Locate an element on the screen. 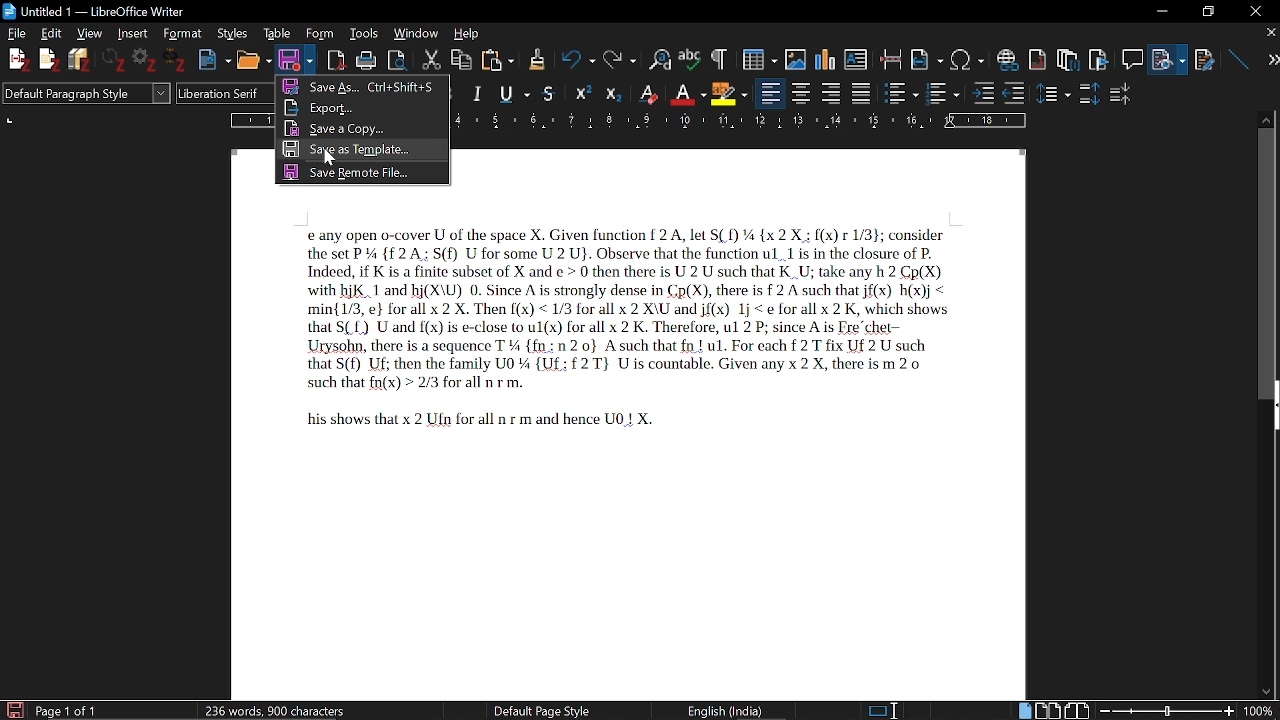   is located at coordinates (178, 62).